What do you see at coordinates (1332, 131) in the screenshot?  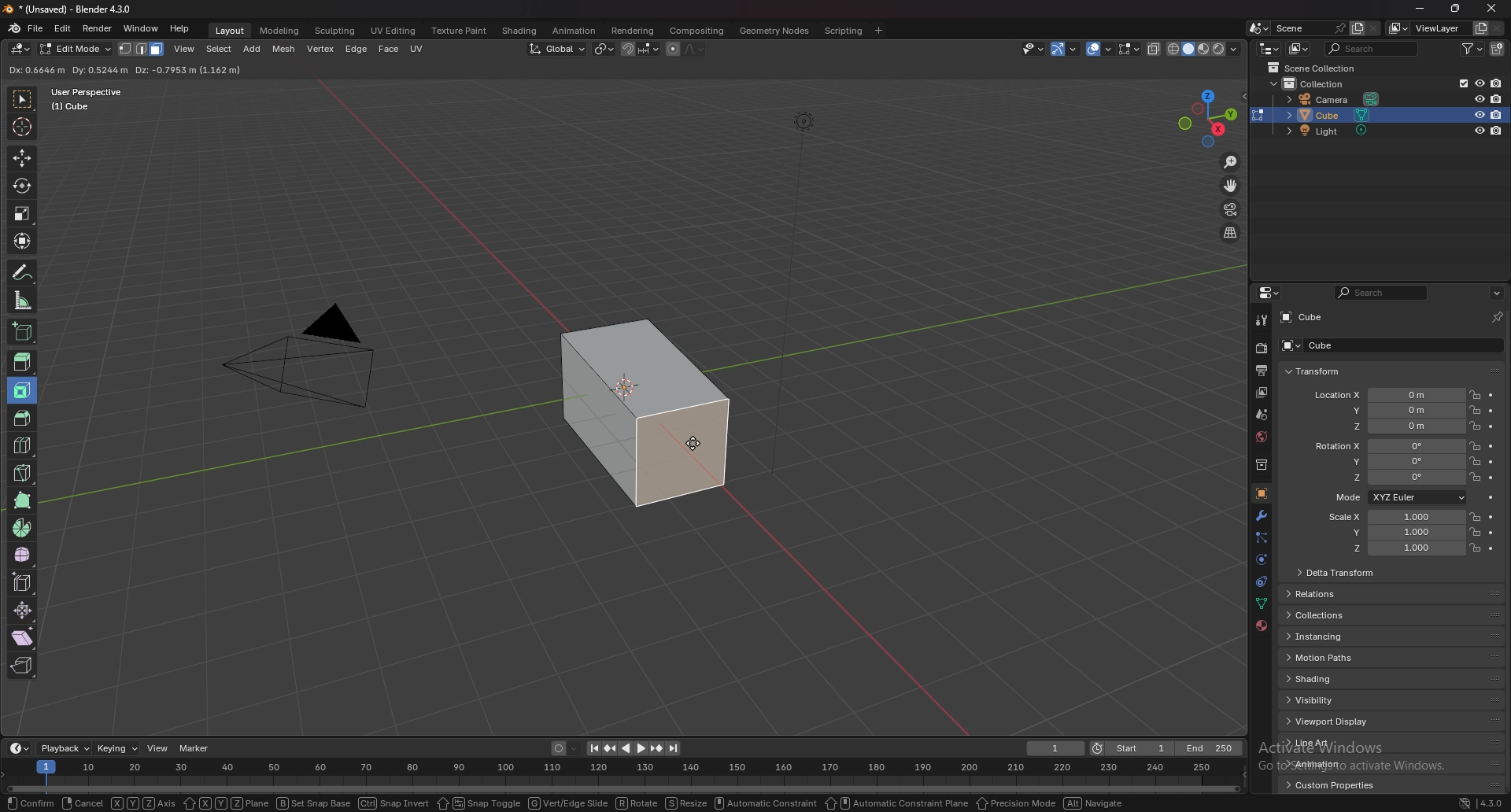 I see `light` at bounding box center [1332, 131].